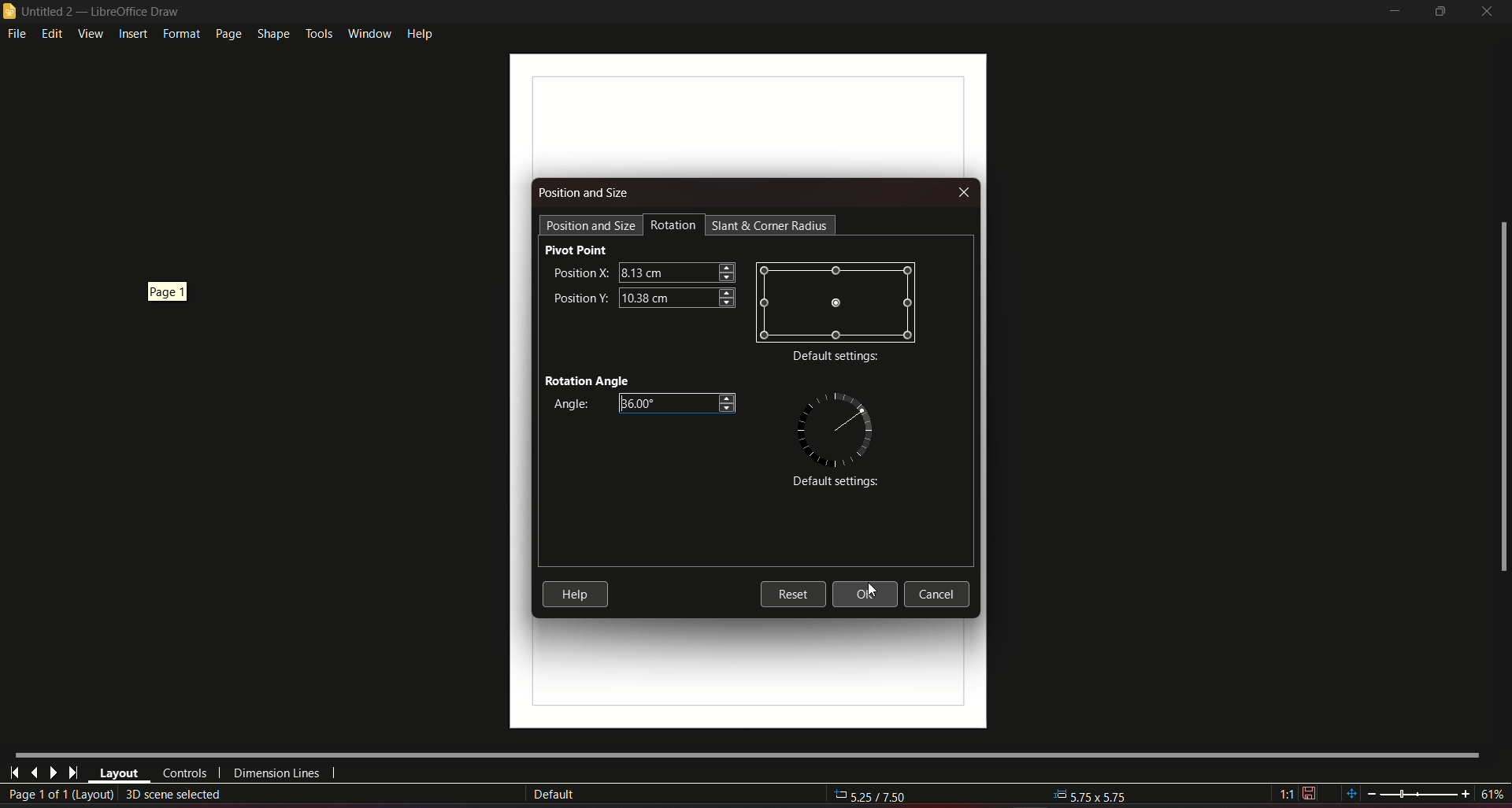 This screenshot has width=1512, height=808. I want to click on Rotation, so click(674, 225).